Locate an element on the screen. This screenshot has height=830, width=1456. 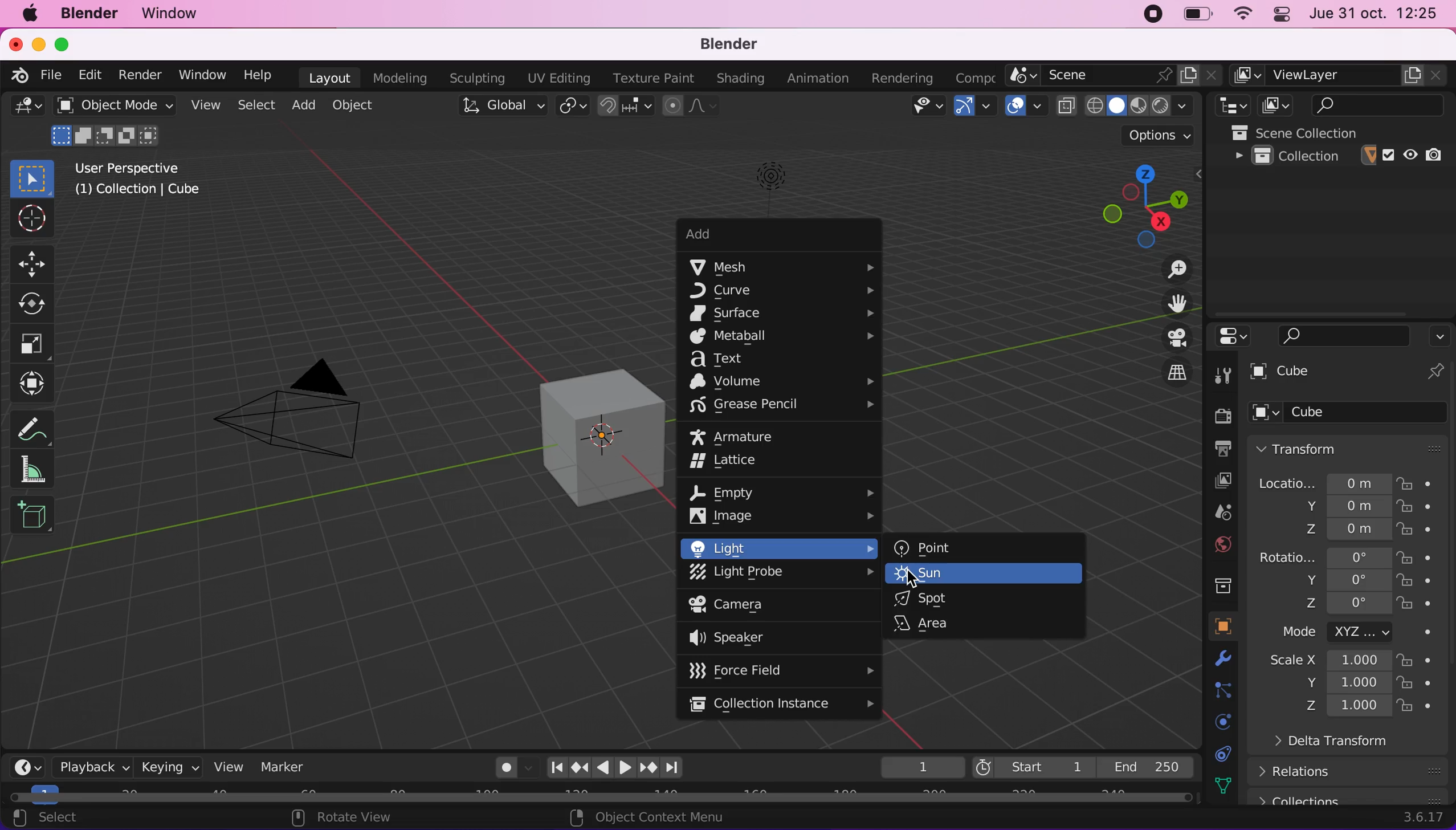
collections is located at coordinates (1351, 797).